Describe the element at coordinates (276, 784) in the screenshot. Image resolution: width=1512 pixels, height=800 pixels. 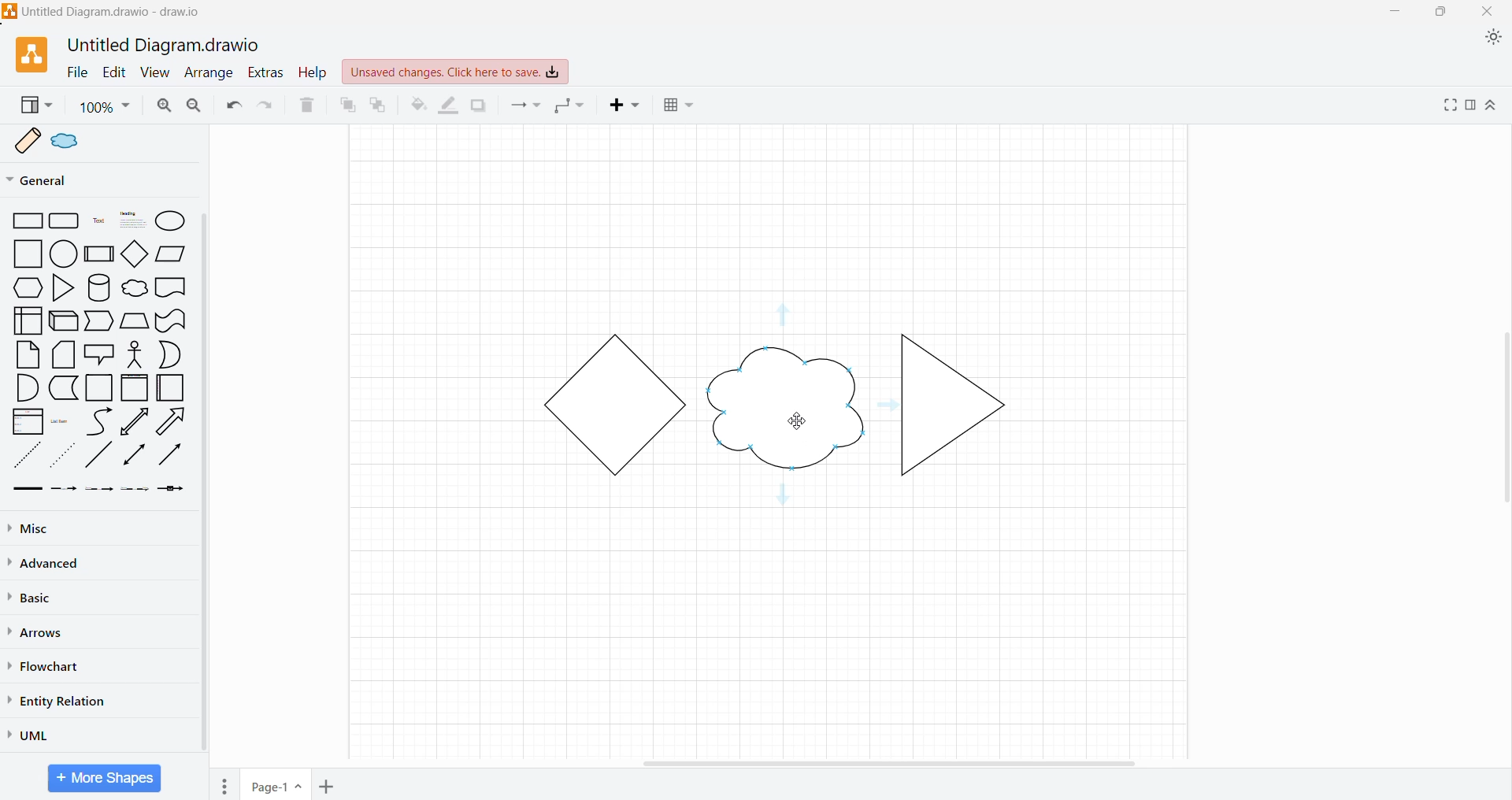
I see `Page-1` at that location.